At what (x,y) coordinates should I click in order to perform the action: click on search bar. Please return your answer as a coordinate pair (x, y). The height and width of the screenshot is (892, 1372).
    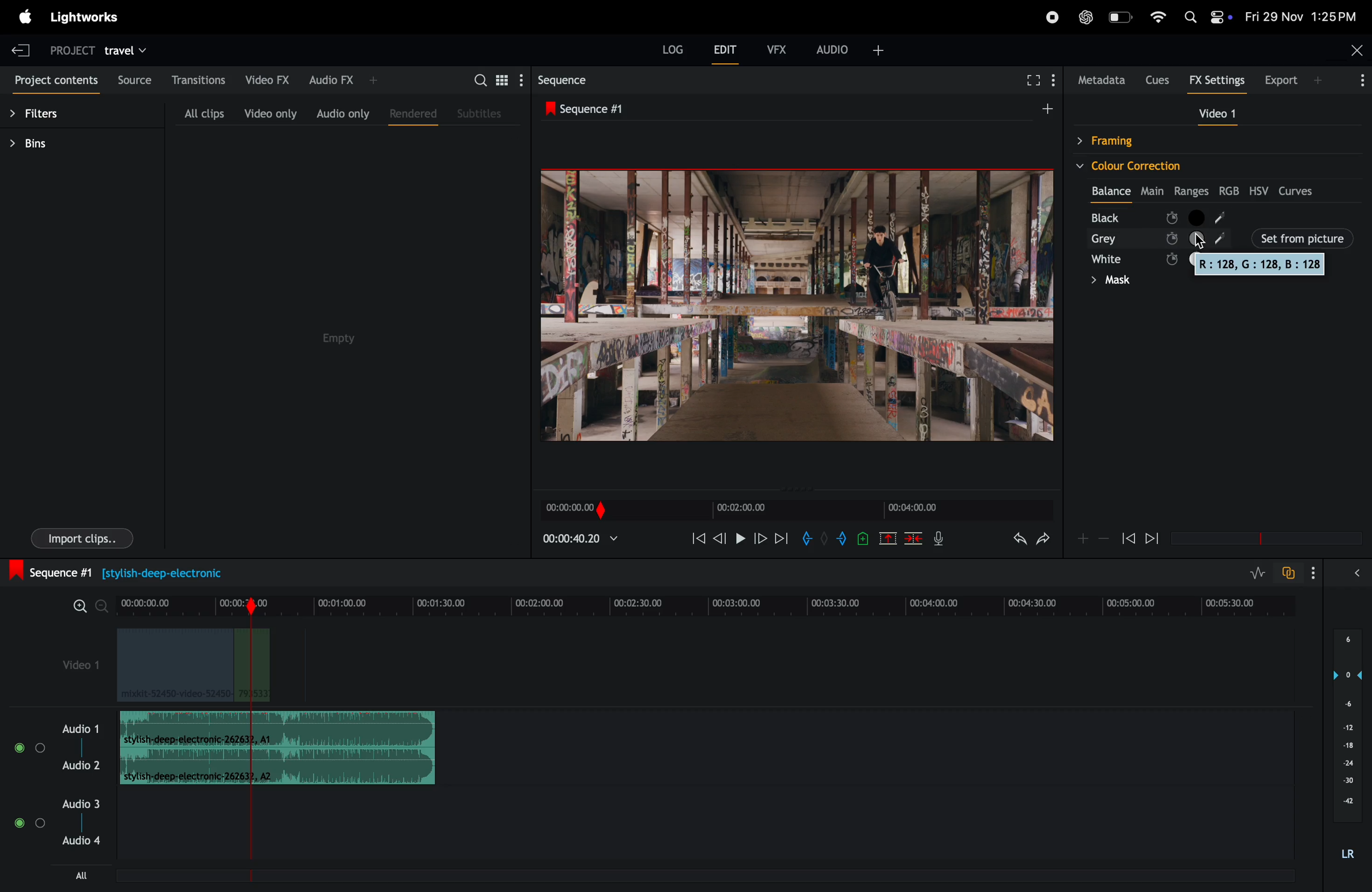
    Looking at the image, I should click on (480, 81).